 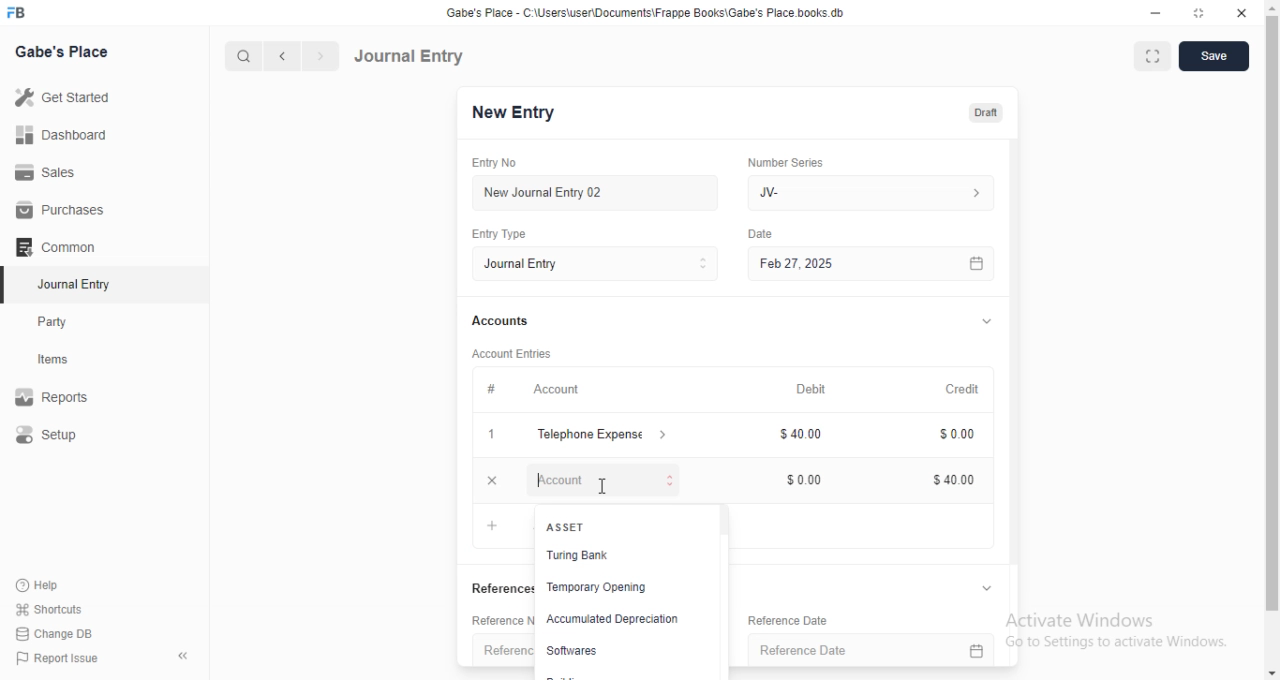 What do you see at coordinates (507, 235) in the screenshot?
I see `Entry Type` at bounding box center [507, 235].